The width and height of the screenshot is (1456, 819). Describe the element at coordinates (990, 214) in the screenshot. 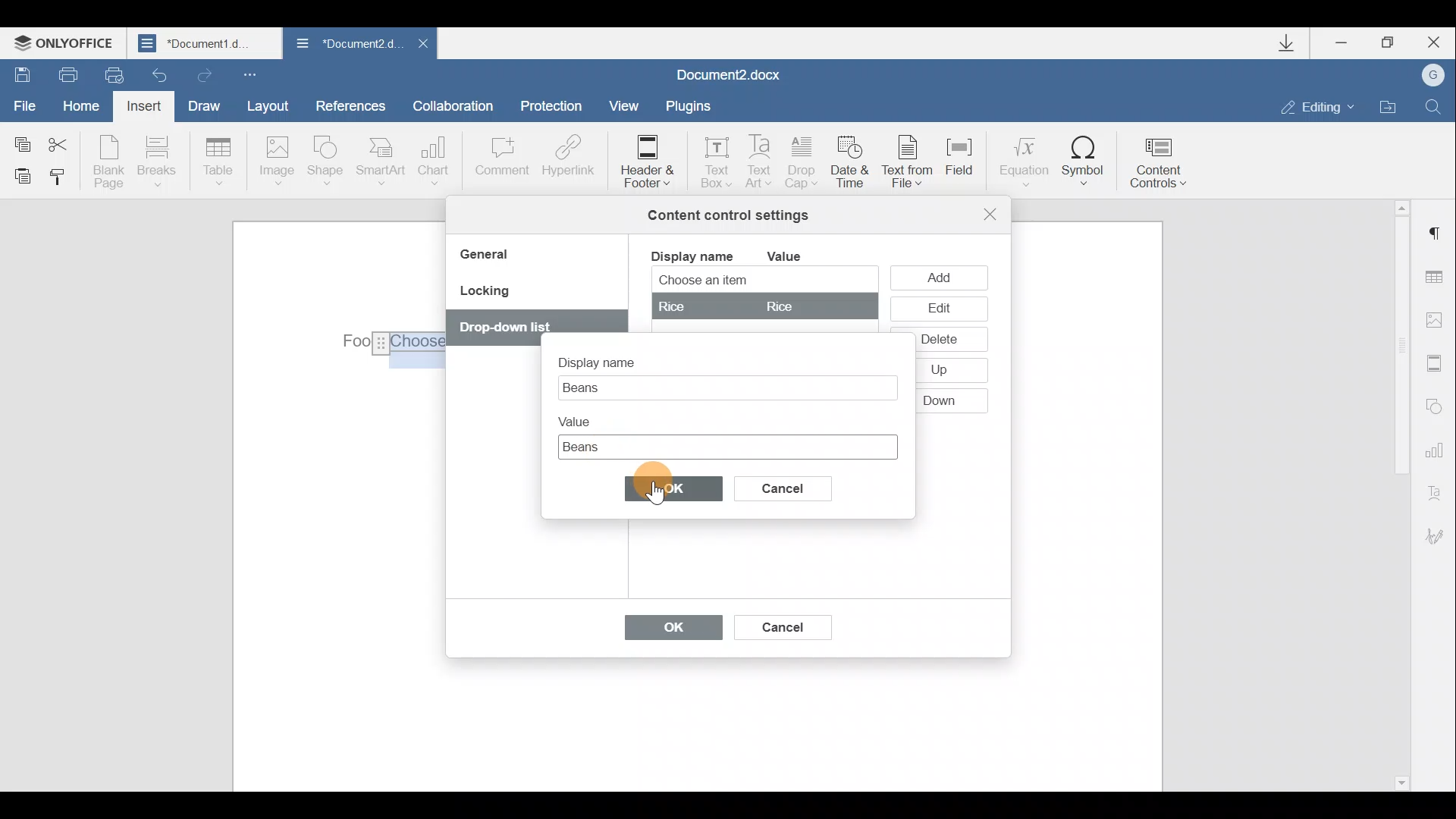

I see `Close` at that location.